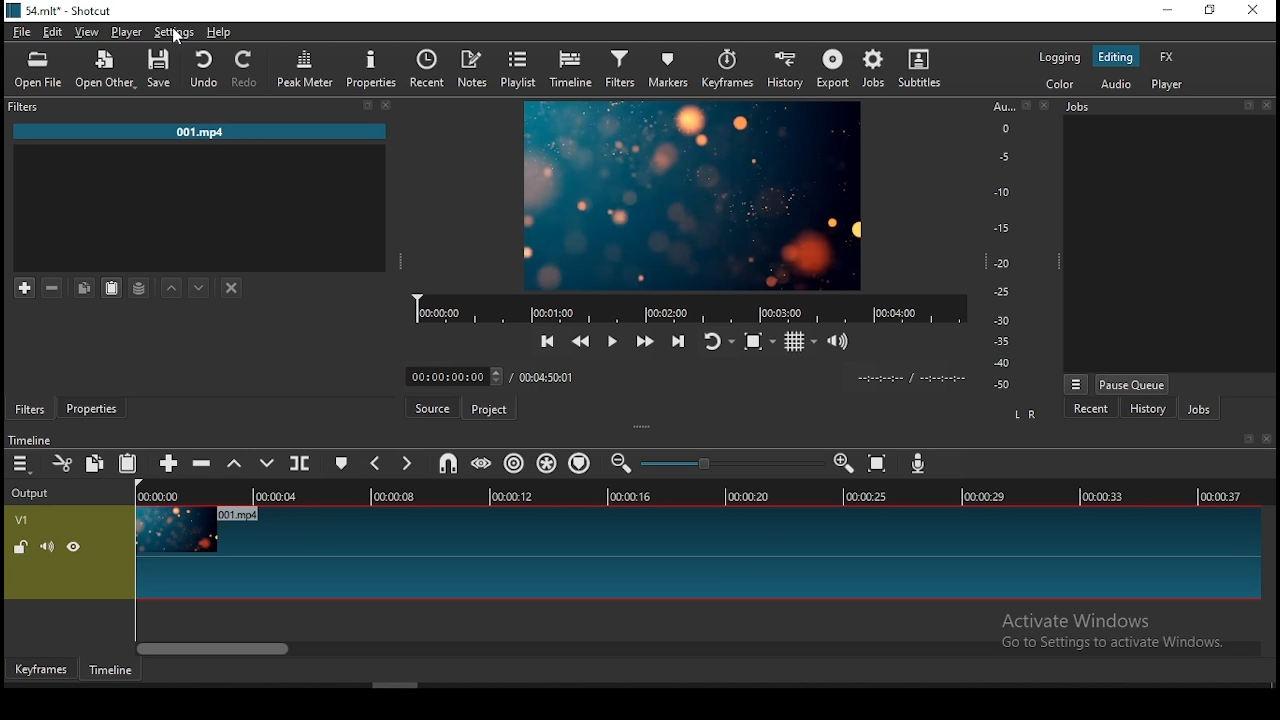 The height and width of the screenshot is (720, 1280). Describe the element at coordinates (172, 286) in the screenshot. I see `move filter up` at that location.